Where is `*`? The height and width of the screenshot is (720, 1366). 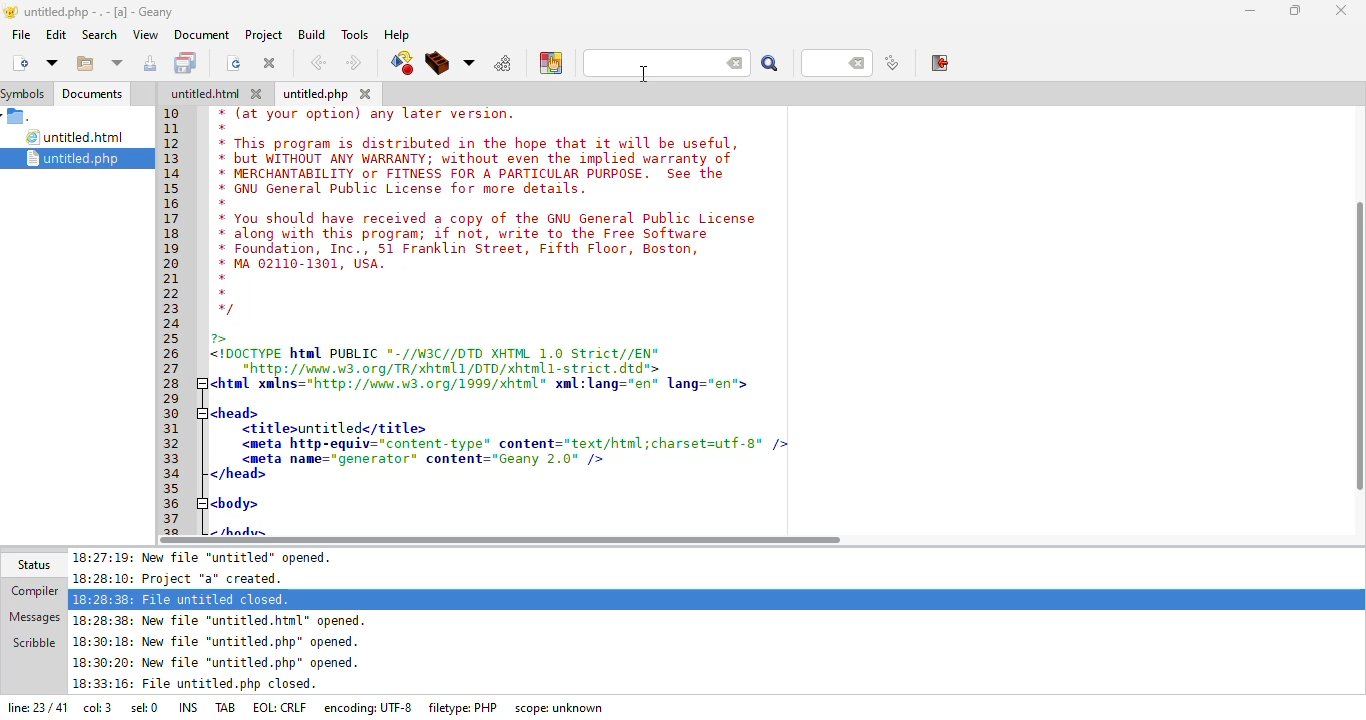 * is located at coordinates (223, 292).